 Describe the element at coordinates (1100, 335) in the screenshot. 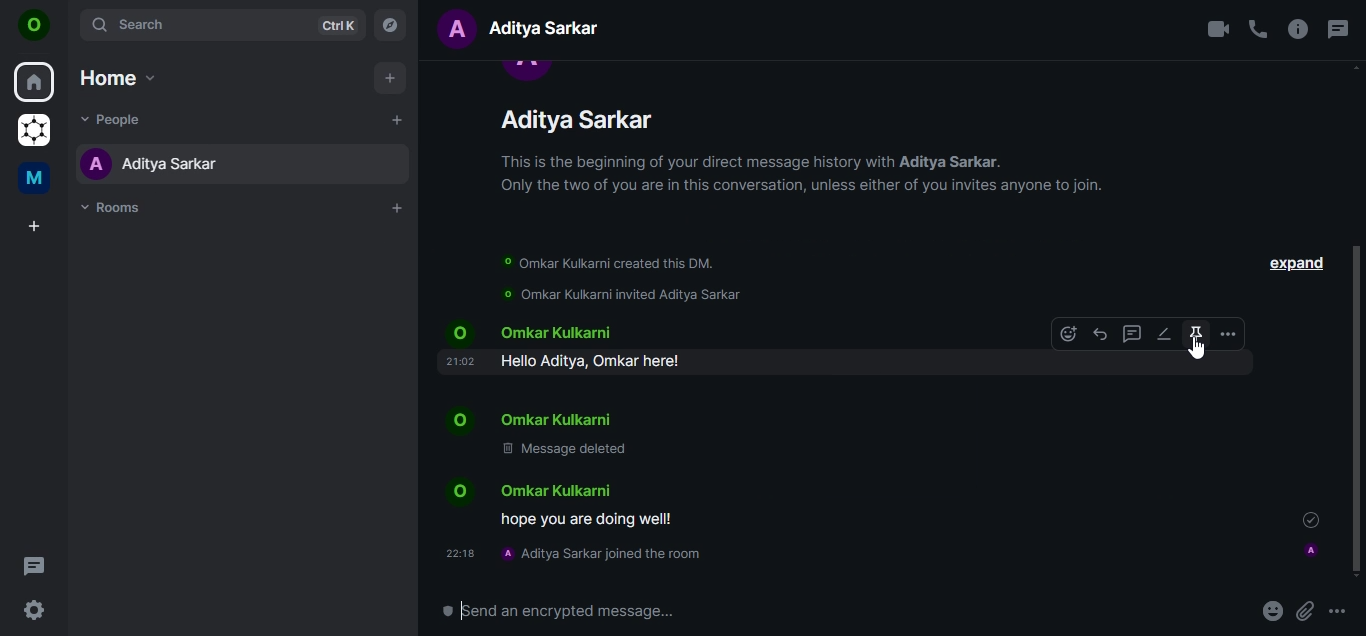

I see `reply` at that location.